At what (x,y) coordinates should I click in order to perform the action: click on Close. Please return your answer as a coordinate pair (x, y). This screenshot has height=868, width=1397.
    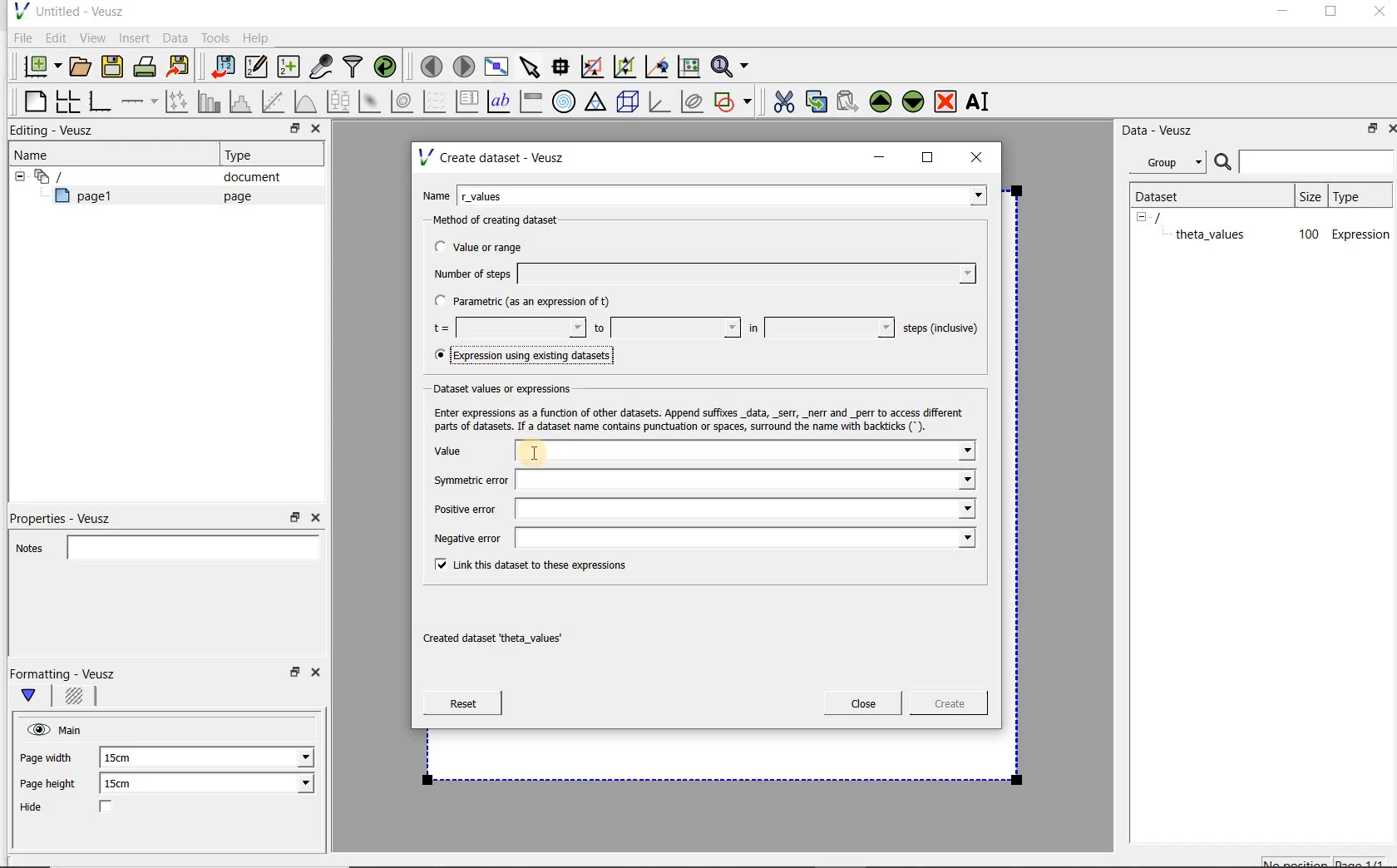
    Looking at the image, I should click on (1378, 14).